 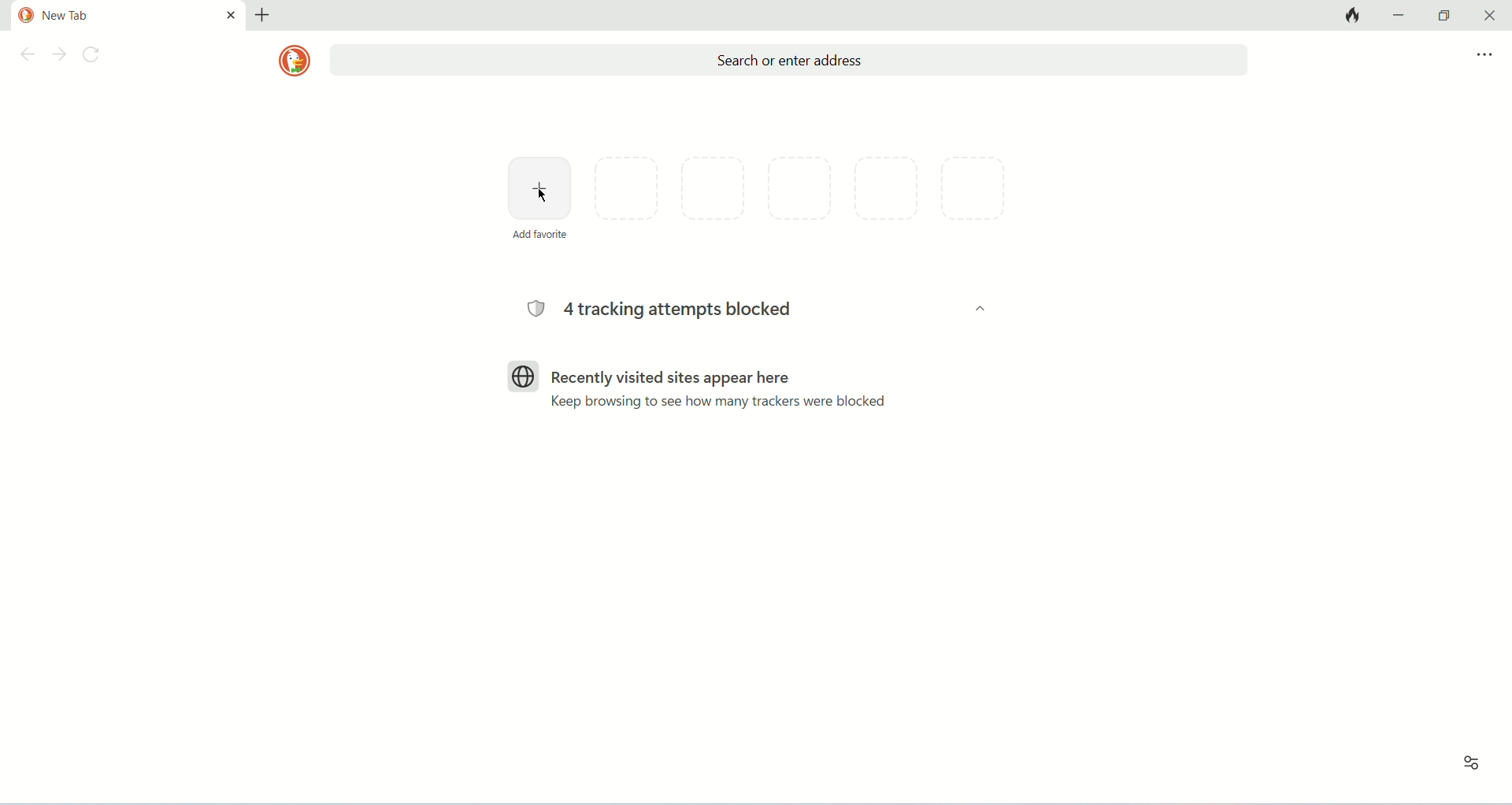 I want to click on maximize, so click(x=1444, y=16).